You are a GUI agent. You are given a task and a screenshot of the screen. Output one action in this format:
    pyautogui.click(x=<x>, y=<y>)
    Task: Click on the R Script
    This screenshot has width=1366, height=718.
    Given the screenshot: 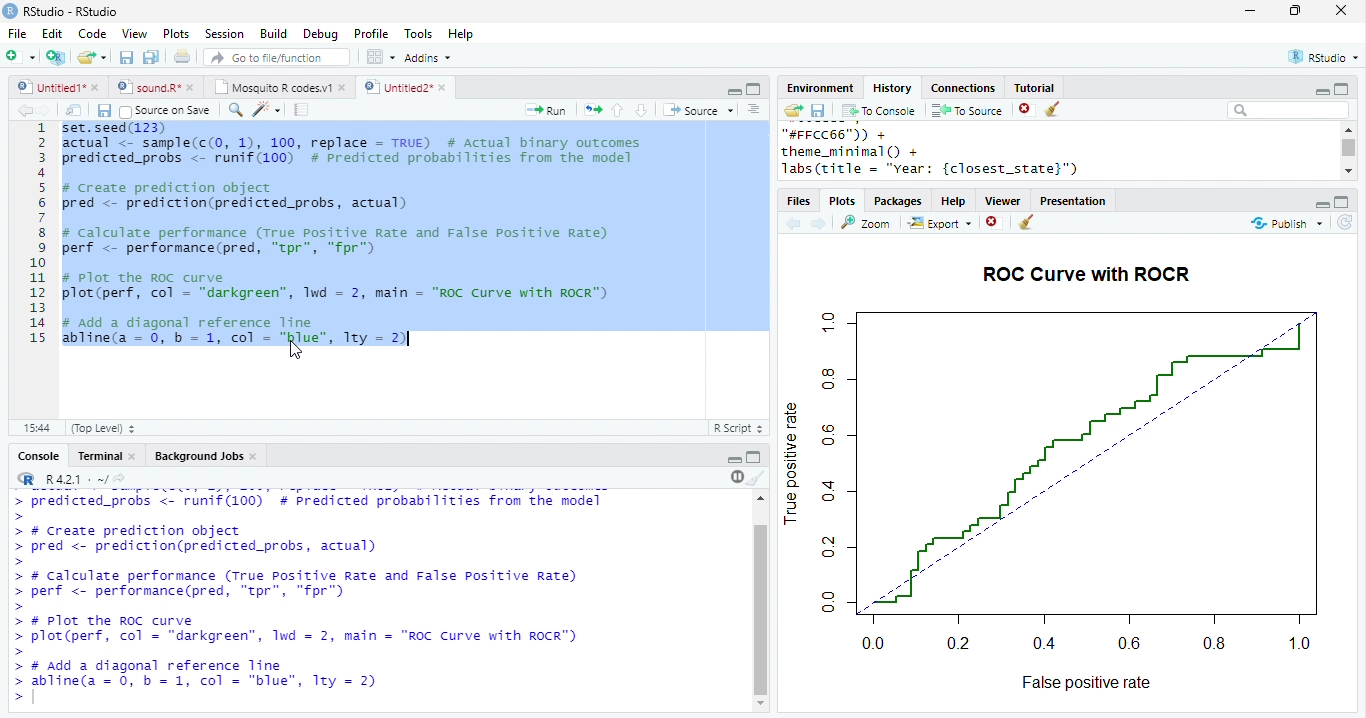 What is the action you would take?
    pyautogui.click(x=739, y=427)
    